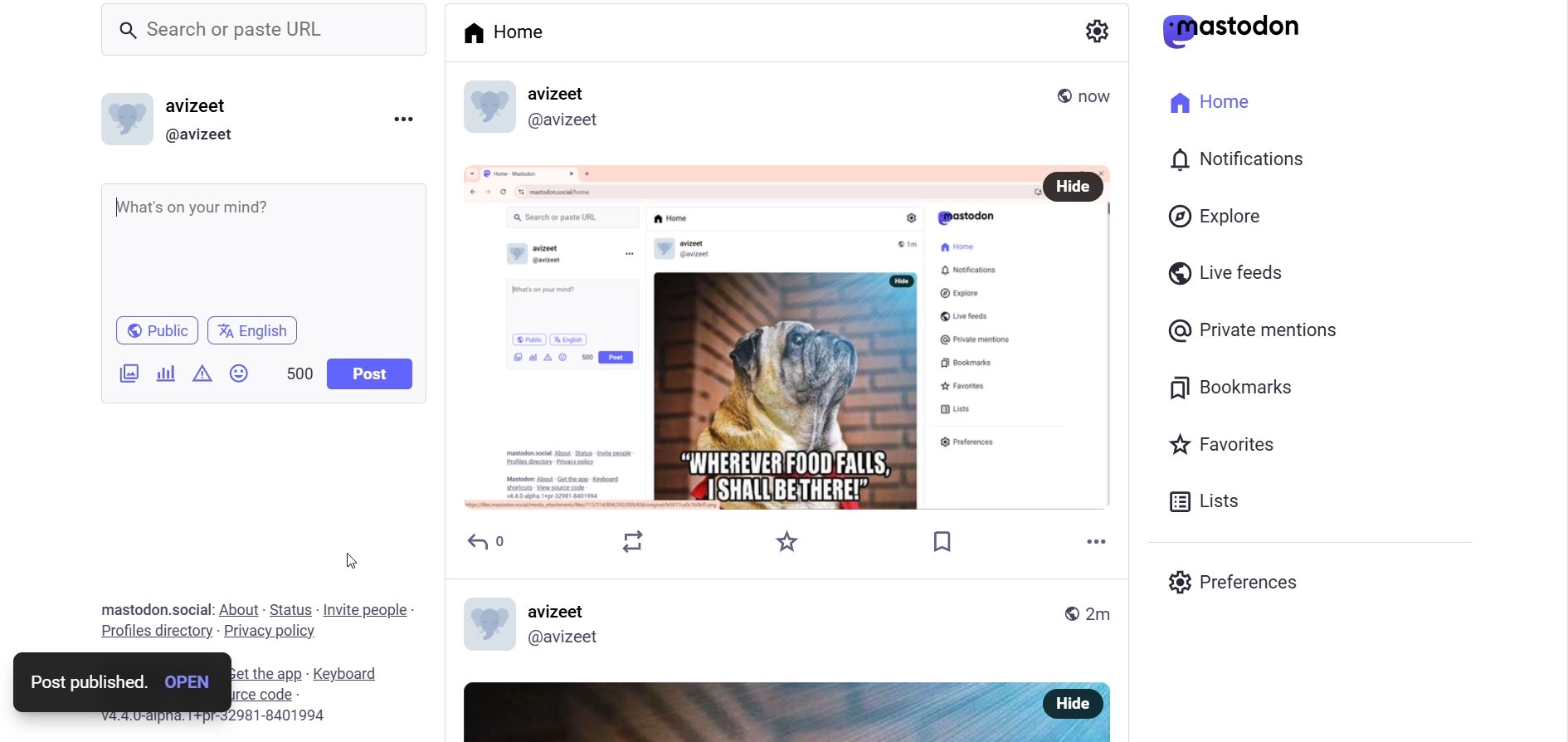 The height and width of the screenshot is (742, 1568). Describe the element at coordinates (264, 28) in the screenshot. I see `search or paste URL` at that location.